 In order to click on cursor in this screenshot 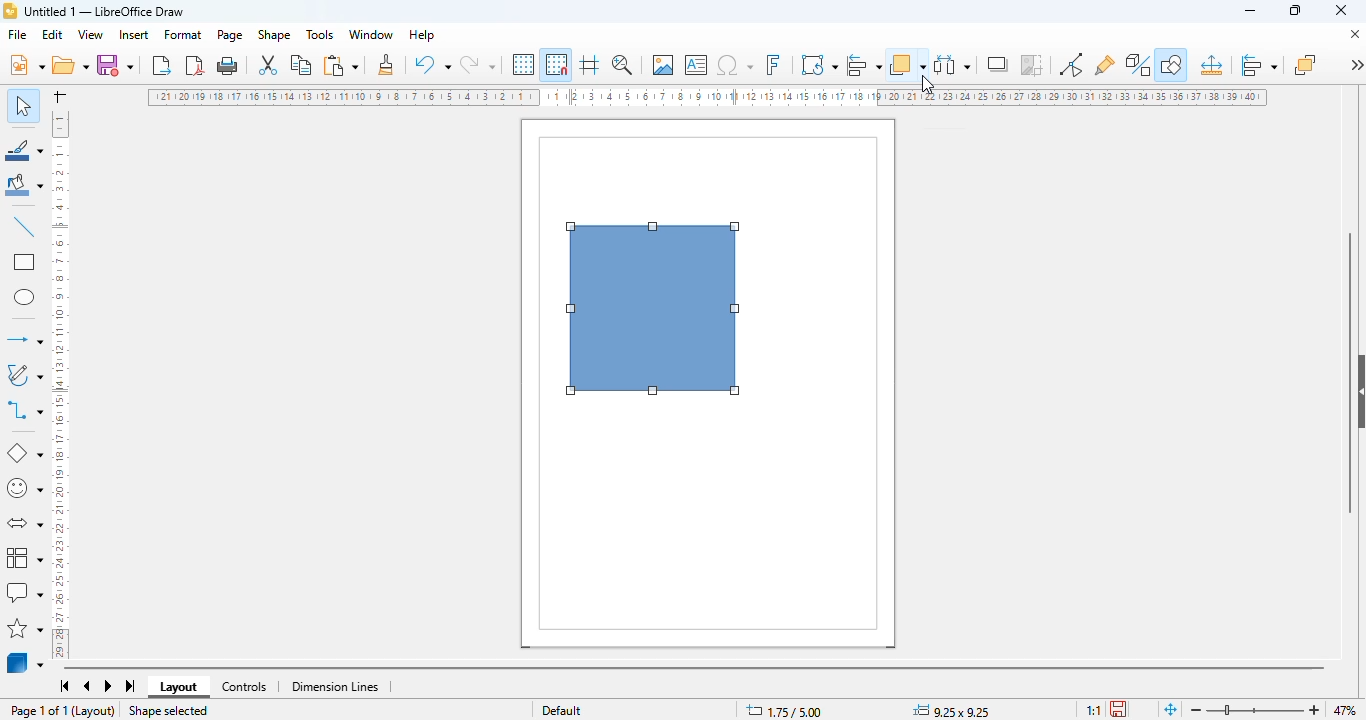, I will do `click(928, 84)`.